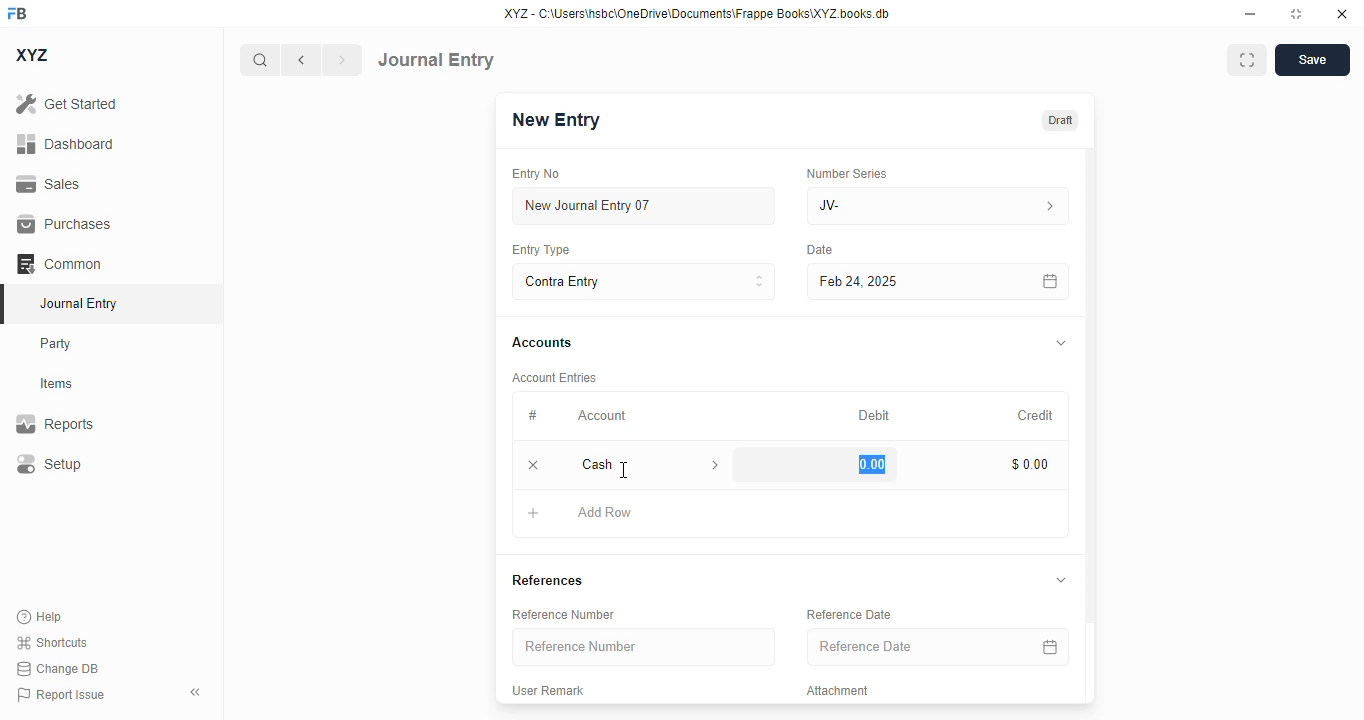  What do you see at coordinates (1247, 60) in the screenshot?
I see `maximise window` at bounding box center [1247, 60].